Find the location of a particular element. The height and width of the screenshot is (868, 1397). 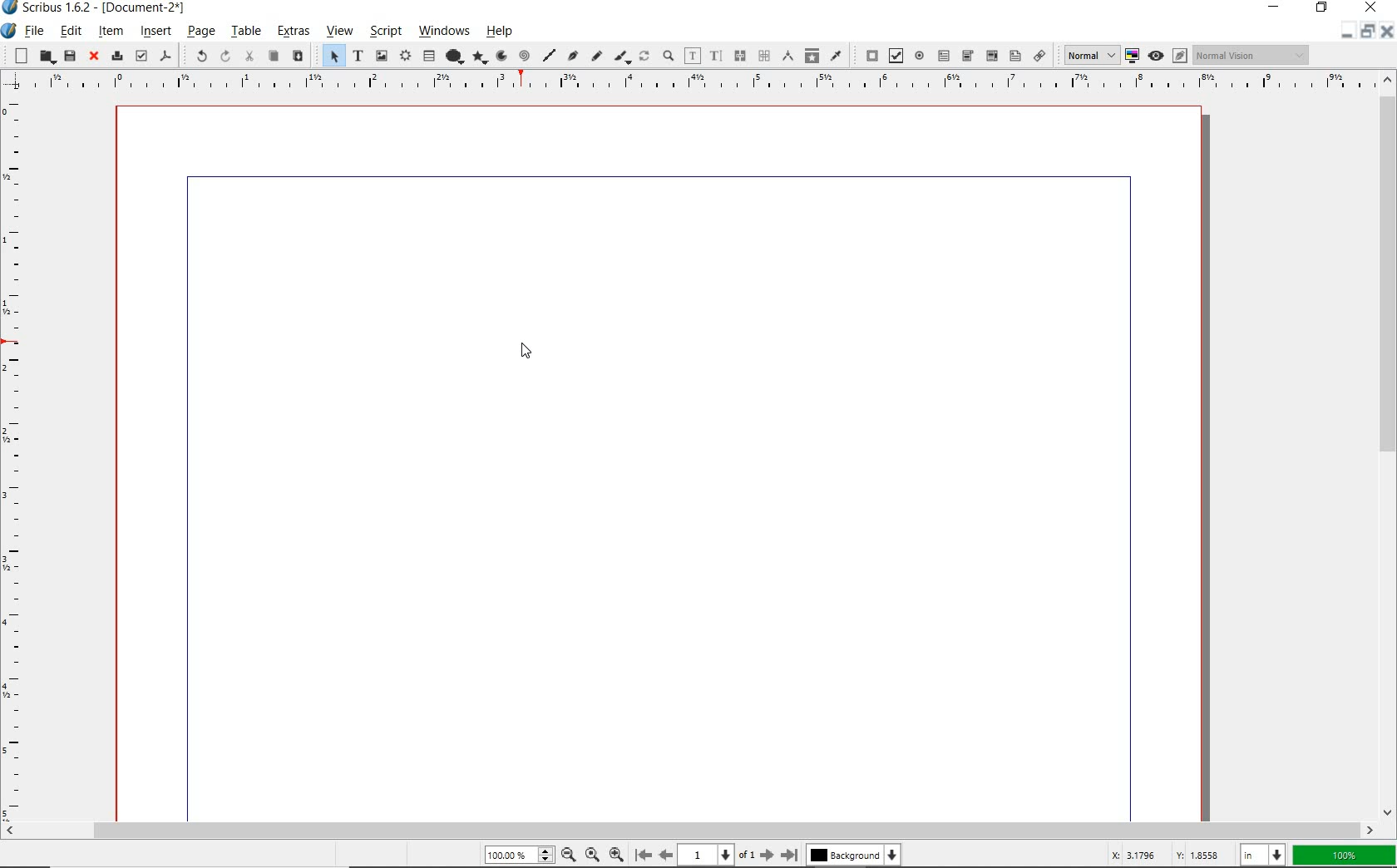

windows is located at coordinates (445, 32).